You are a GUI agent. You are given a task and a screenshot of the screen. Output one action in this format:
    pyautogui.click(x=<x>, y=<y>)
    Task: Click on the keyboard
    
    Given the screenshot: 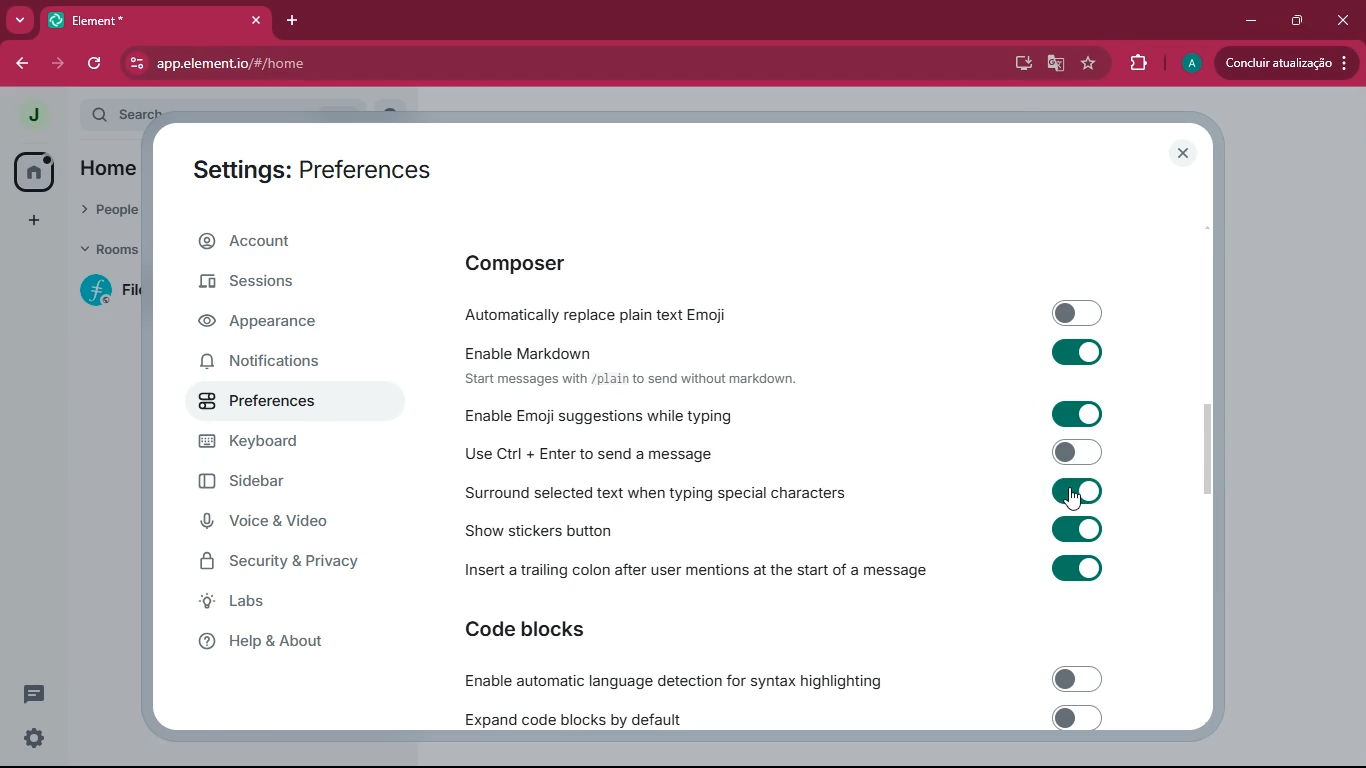 What is the action you would take?
    pyautogui.click(x=271, y=442)
    